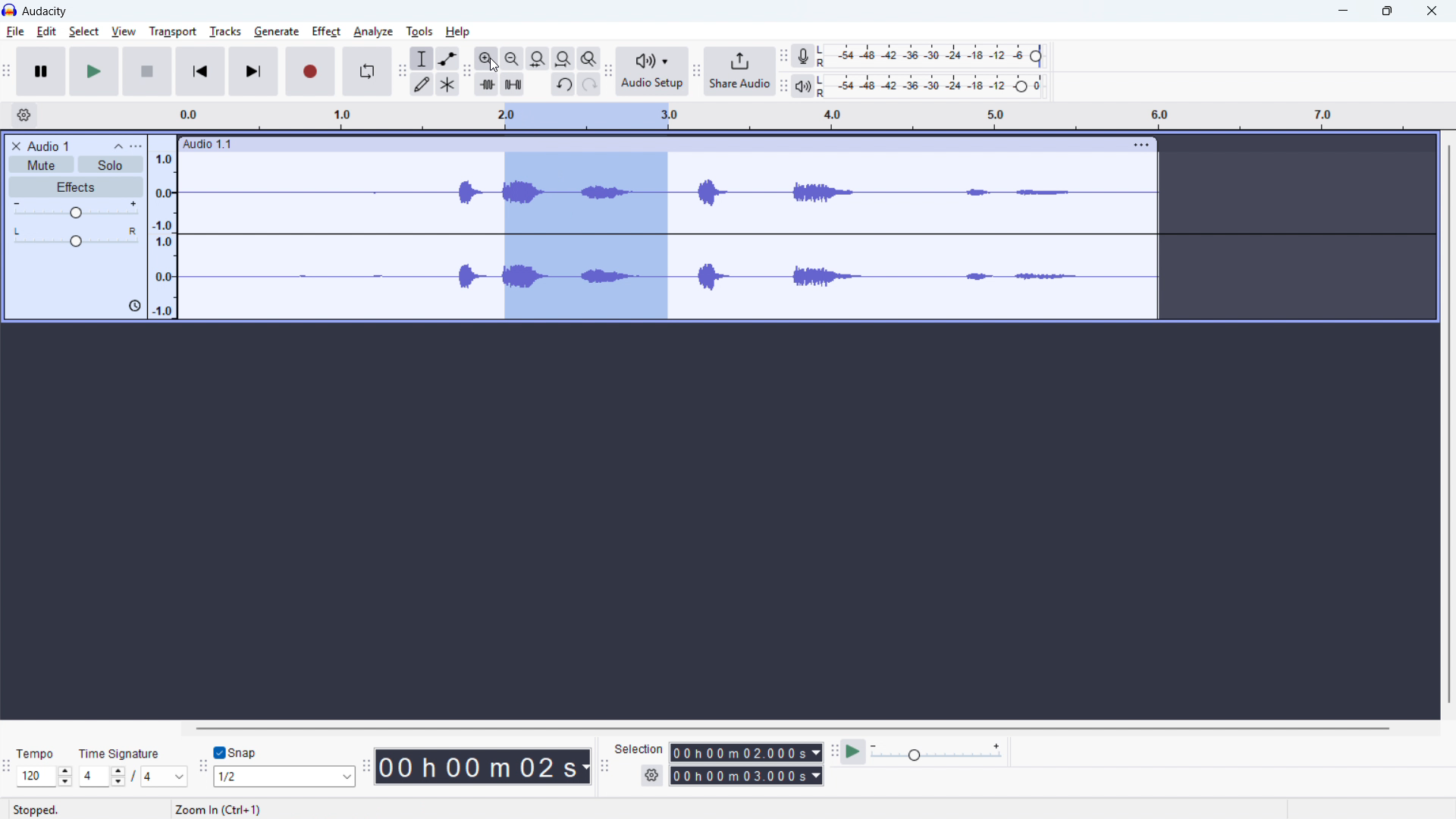 The width and height of the screenshot is (1456, 819). I want to click on Selection, so click(640, 748).